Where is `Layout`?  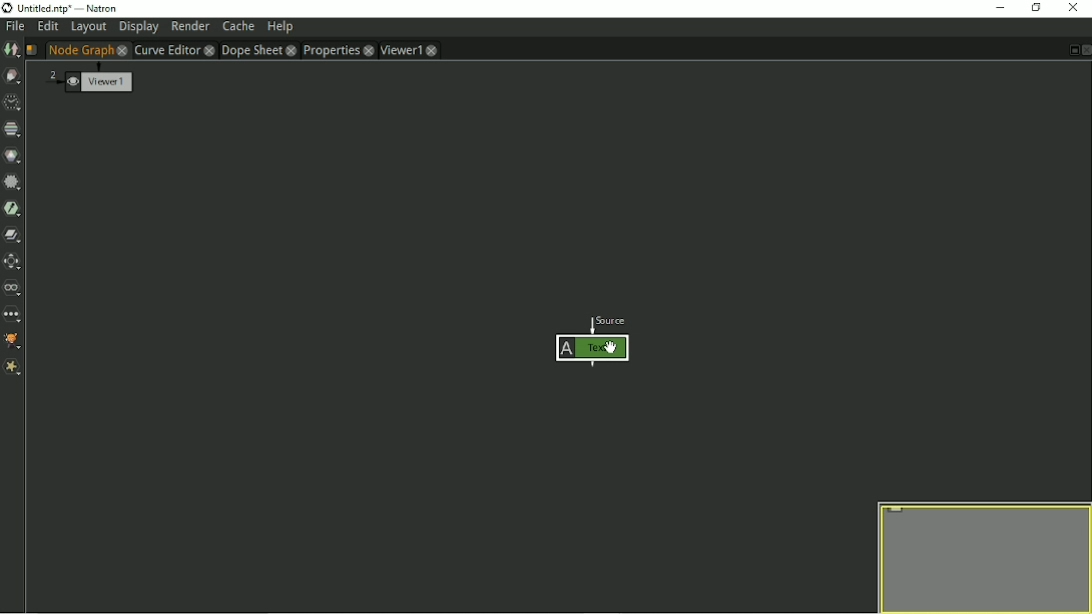 Layout is located at coordinates (88, 27).